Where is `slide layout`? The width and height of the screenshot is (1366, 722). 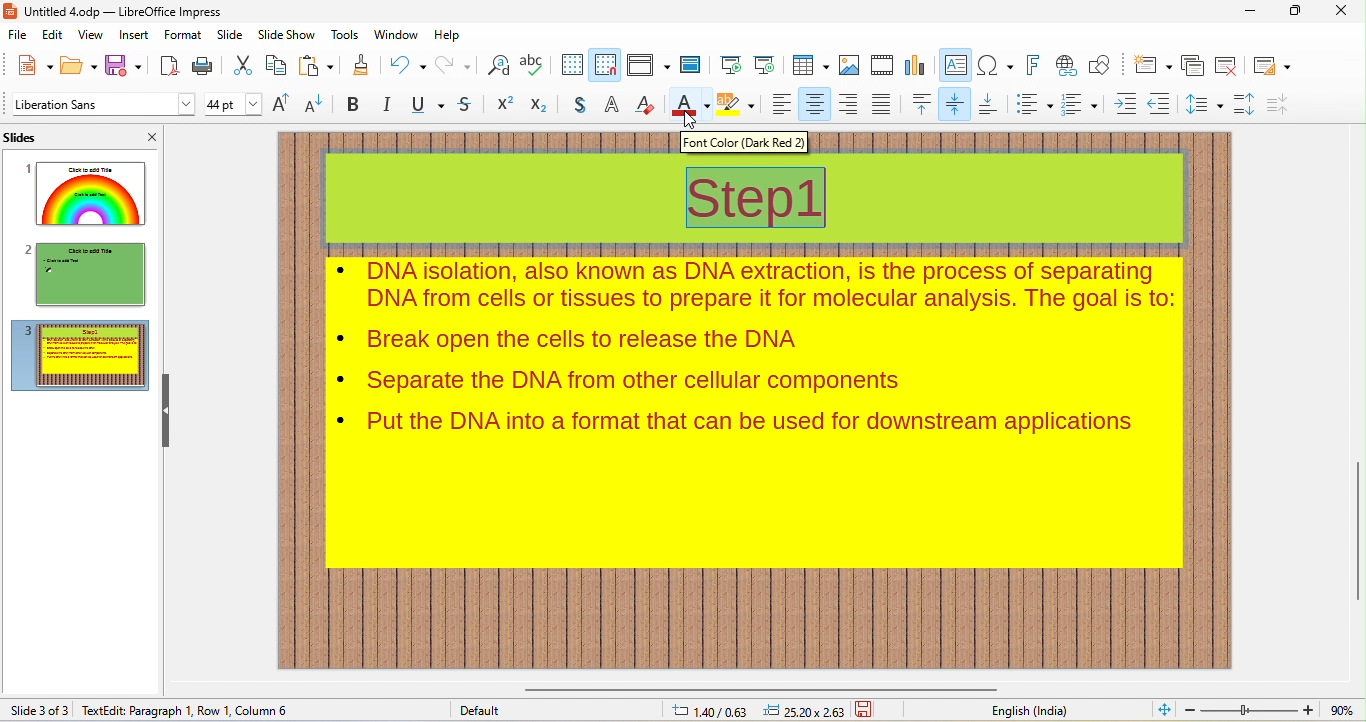
slide layout is located at coordinates (1272, 66).